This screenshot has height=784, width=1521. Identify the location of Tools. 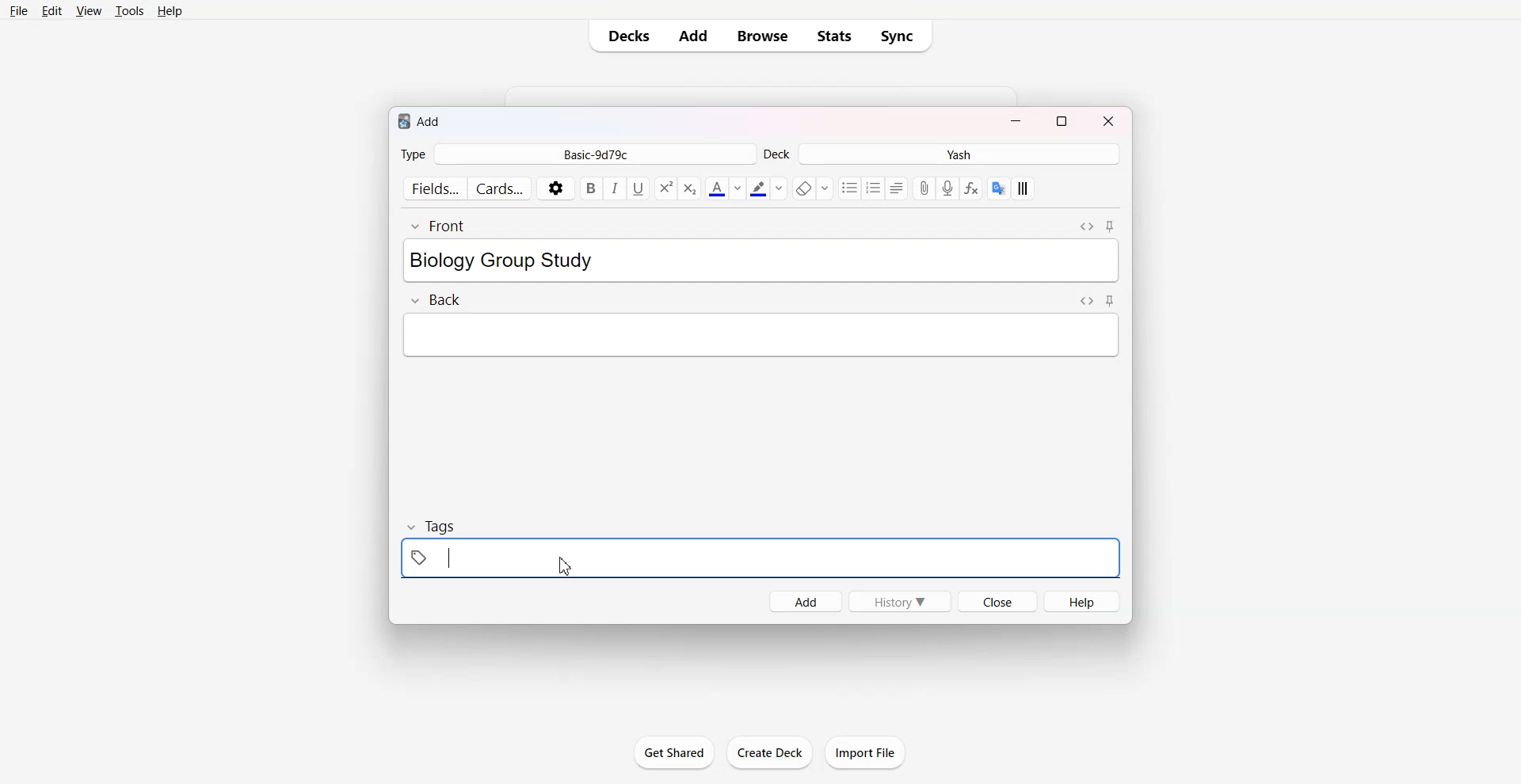
(130, 12).